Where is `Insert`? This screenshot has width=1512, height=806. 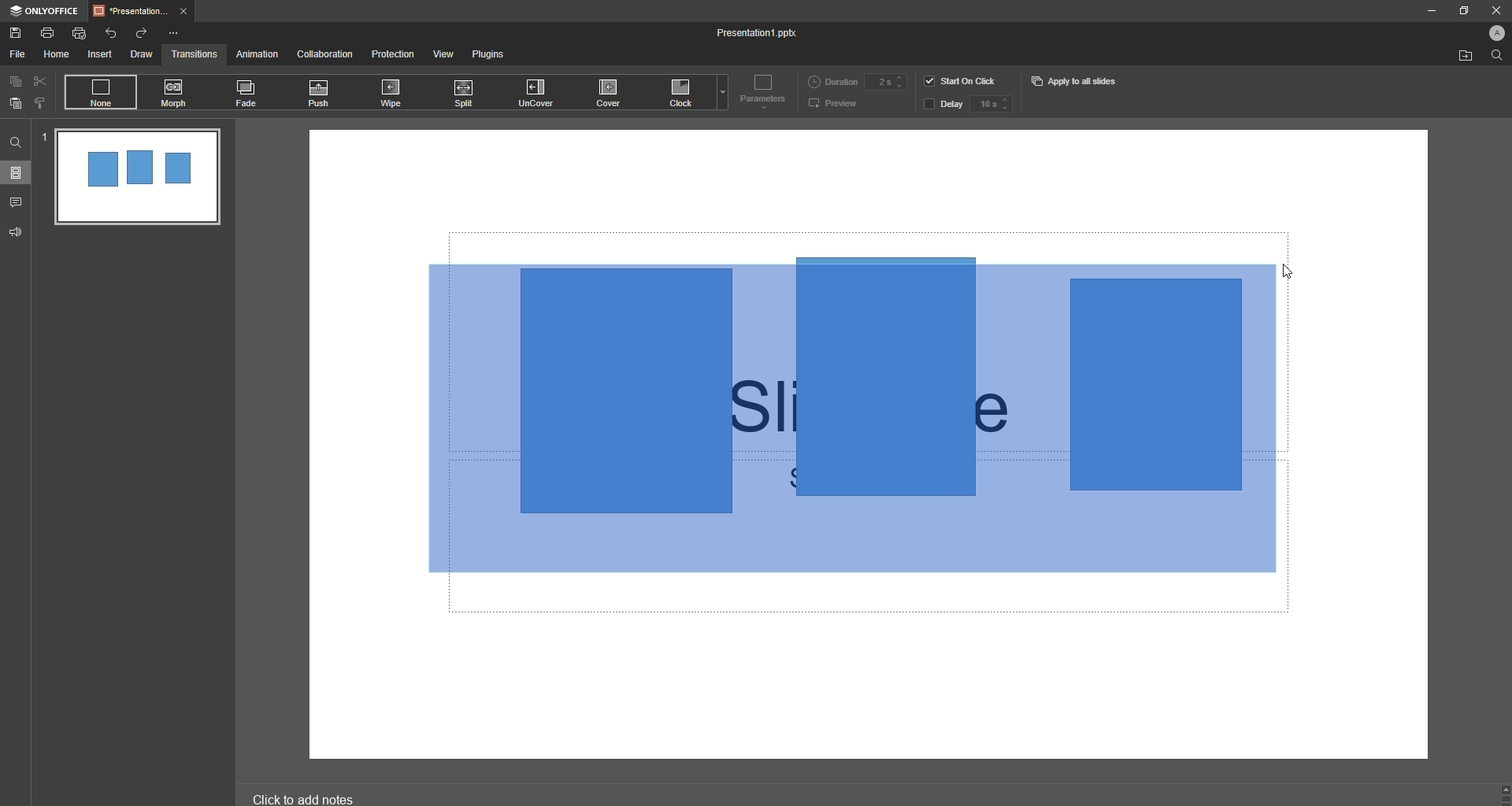 Insert is located at coordinates (99, 55).